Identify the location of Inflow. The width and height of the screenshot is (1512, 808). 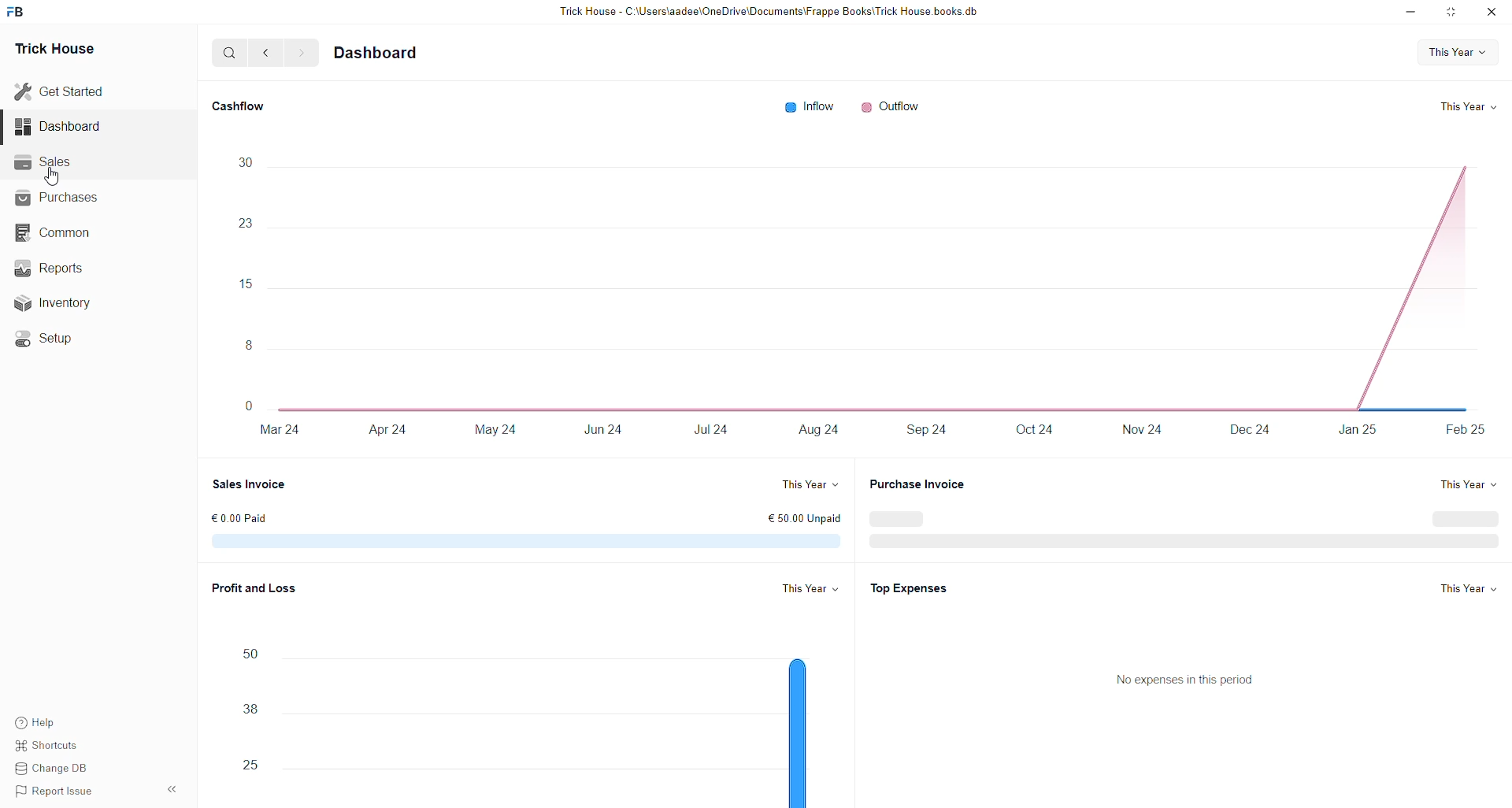
(810, 106).